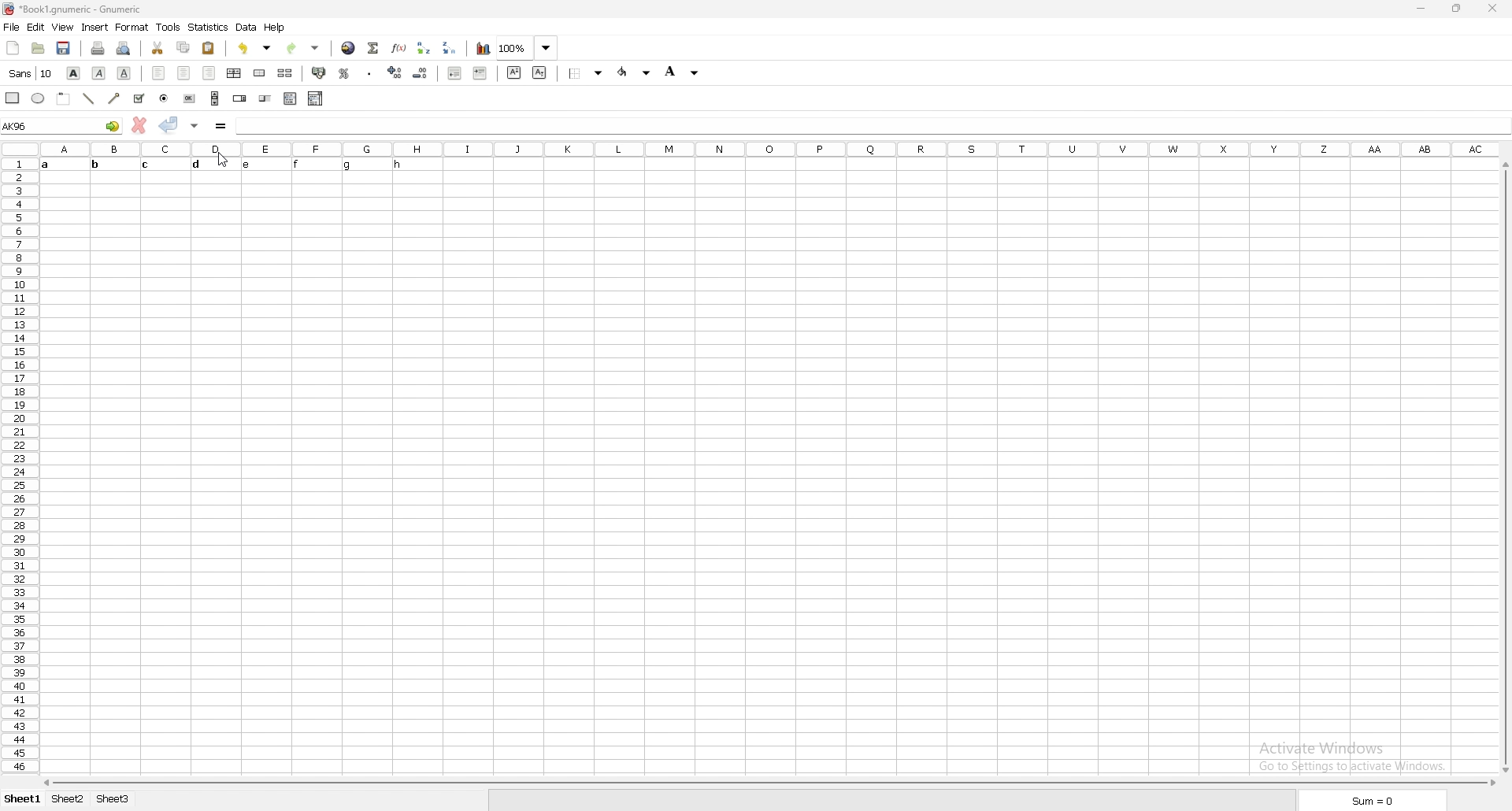 The image size is (1512, 811). What do you see at coordinates (72, 73) in the screenshot?
I see `bold` at bounding box center [72, 73].